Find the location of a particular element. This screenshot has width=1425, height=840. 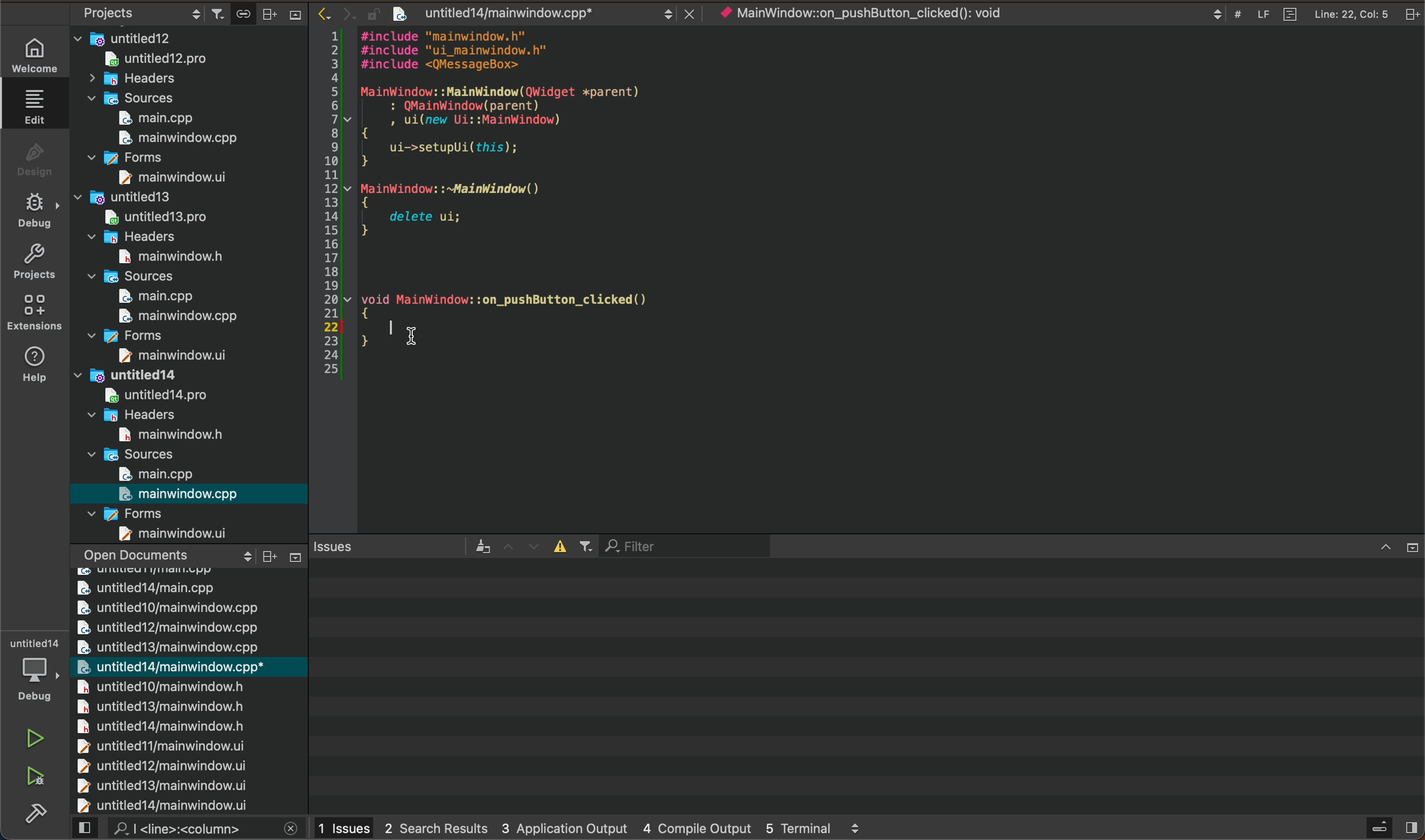

untitled12.pro is located at coordinates (180, 60).